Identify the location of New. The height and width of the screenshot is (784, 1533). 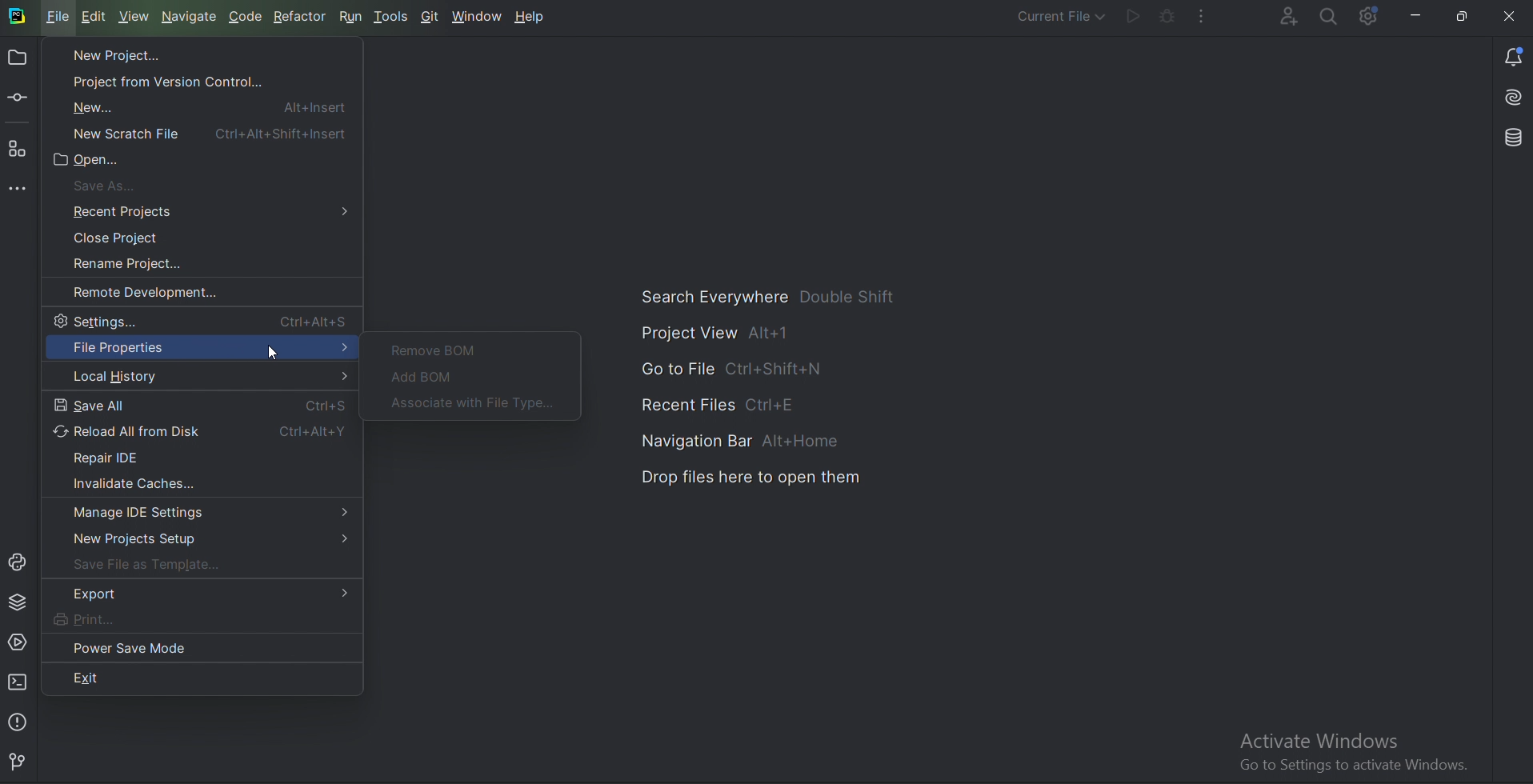
(202, 106).